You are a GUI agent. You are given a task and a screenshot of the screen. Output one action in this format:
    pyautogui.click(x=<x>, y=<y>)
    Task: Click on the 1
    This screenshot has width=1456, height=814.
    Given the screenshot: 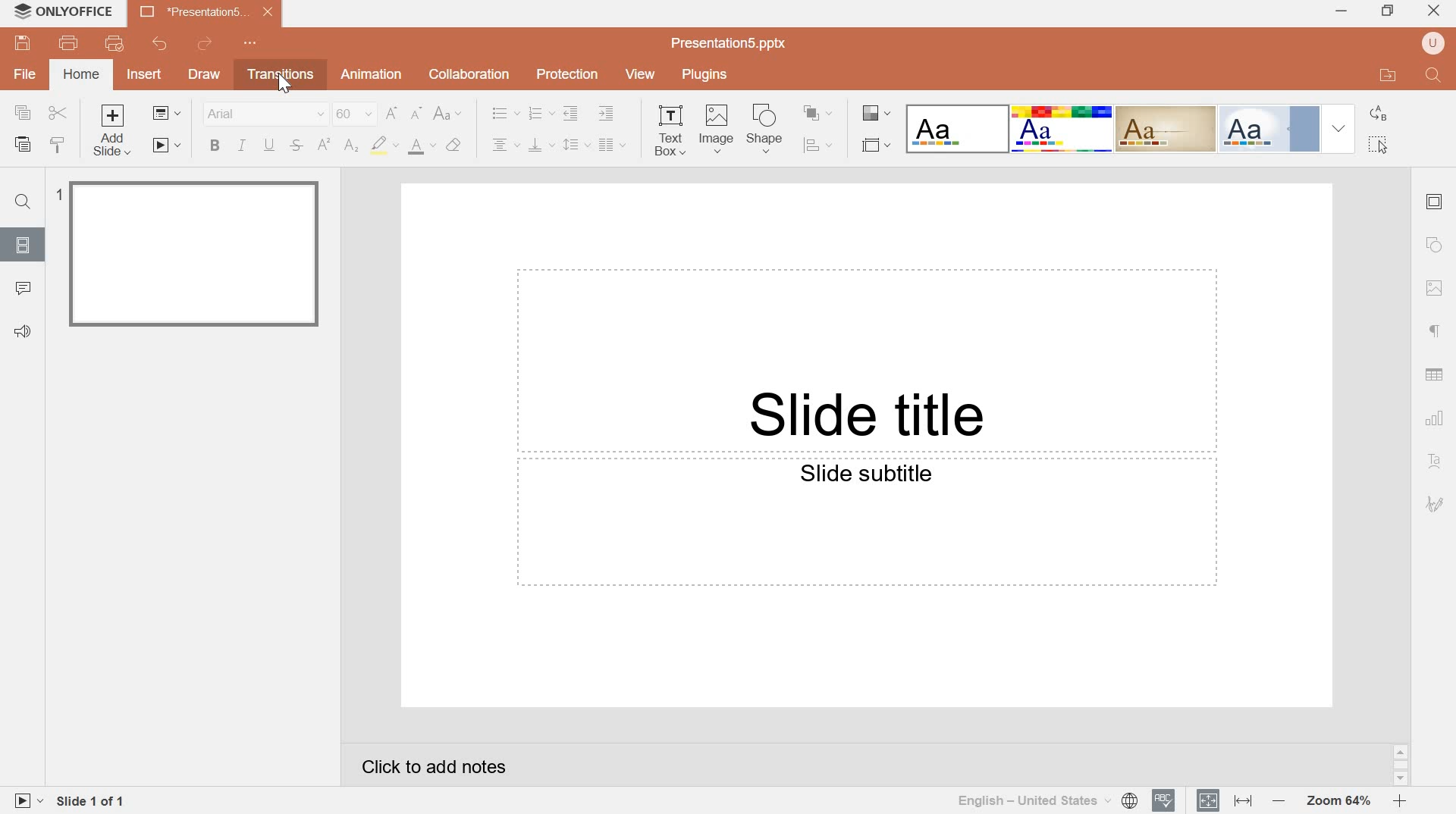 What is the action you would take?
    pyautogui.click(x=58, y=193)
    